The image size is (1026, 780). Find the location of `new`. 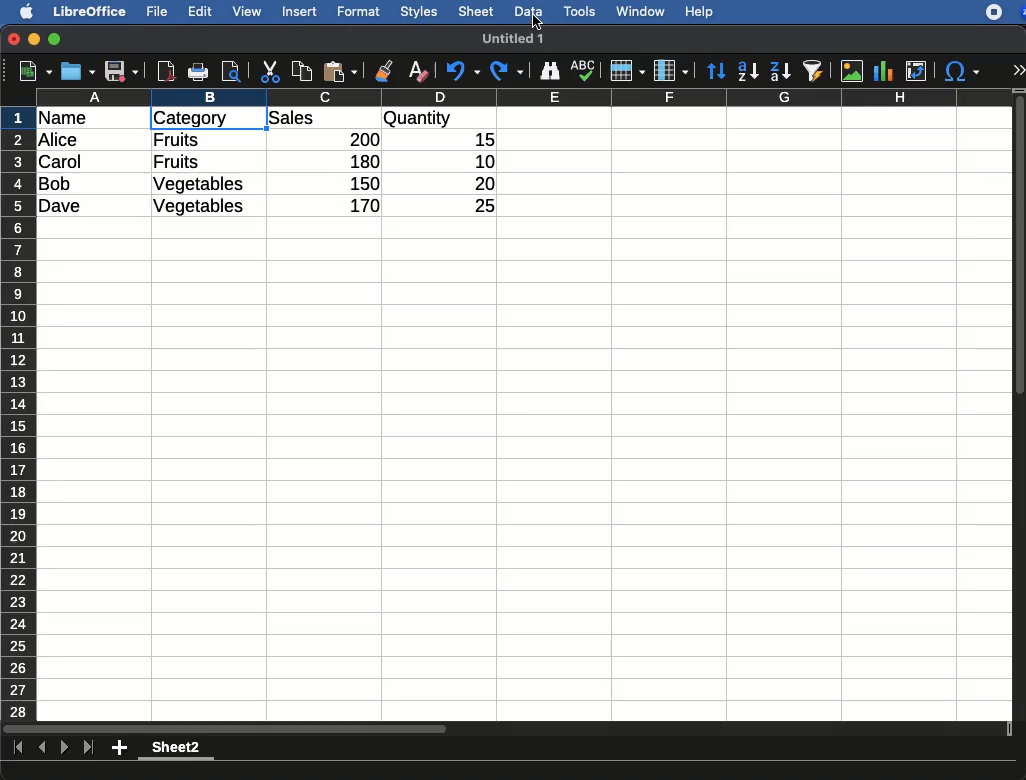

new is located at coordinates (31, 70).